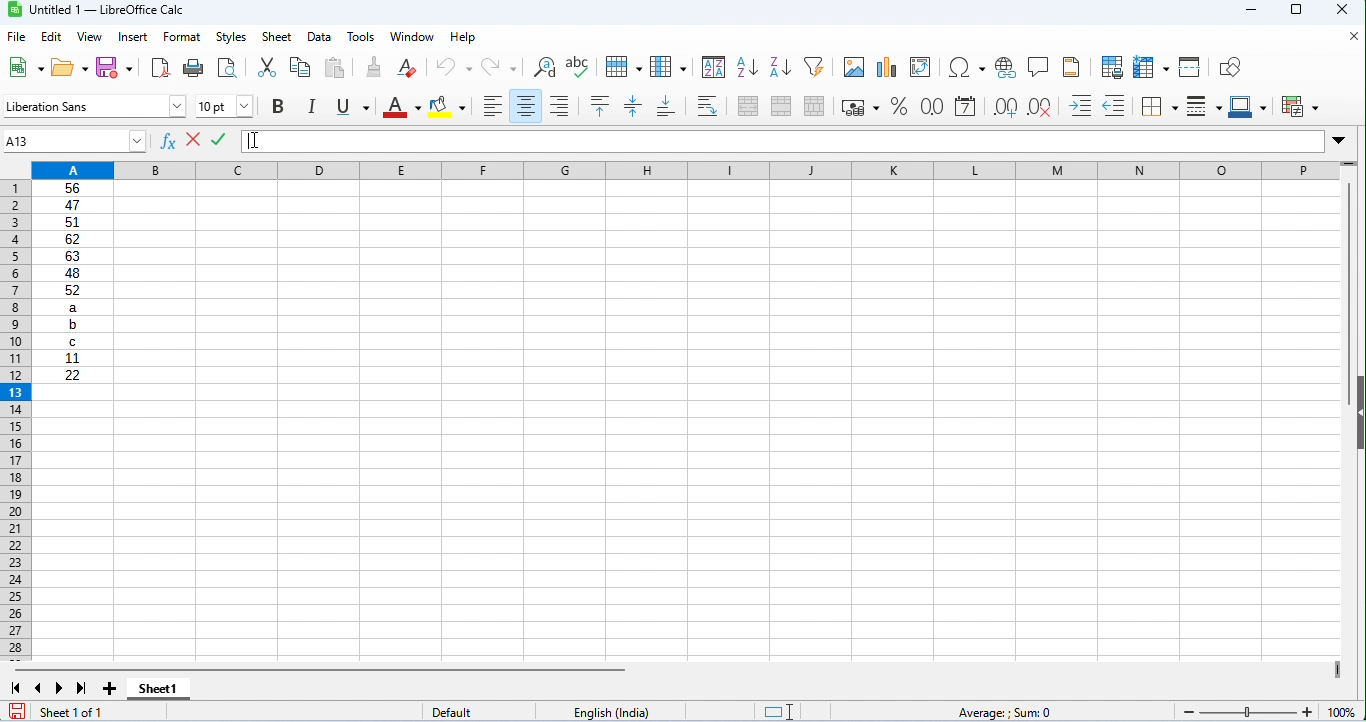  I want to click on , so click(278, 107).